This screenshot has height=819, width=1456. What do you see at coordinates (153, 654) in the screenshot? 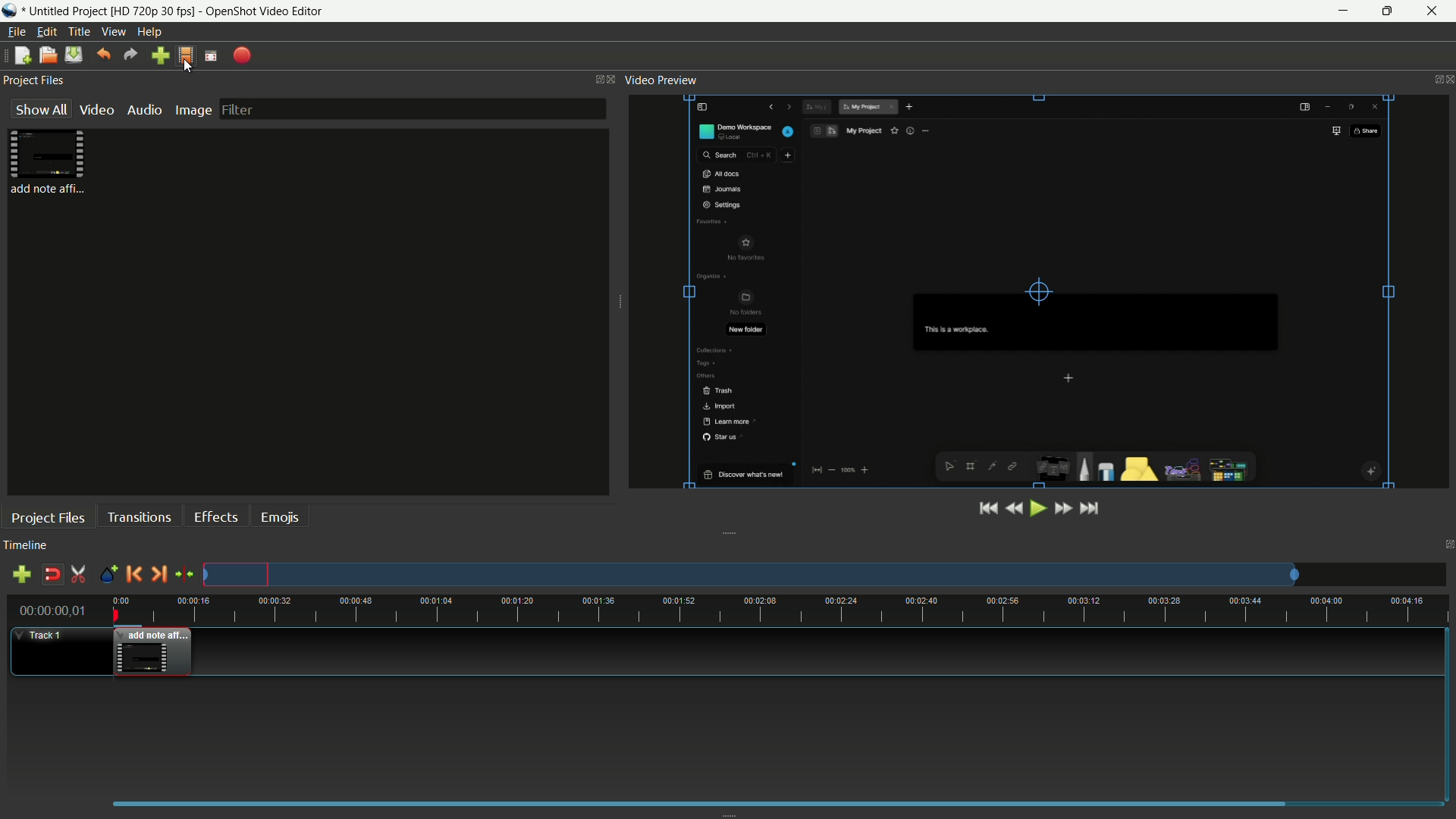
I see `video in timeline` at bounding box center [153, 654].